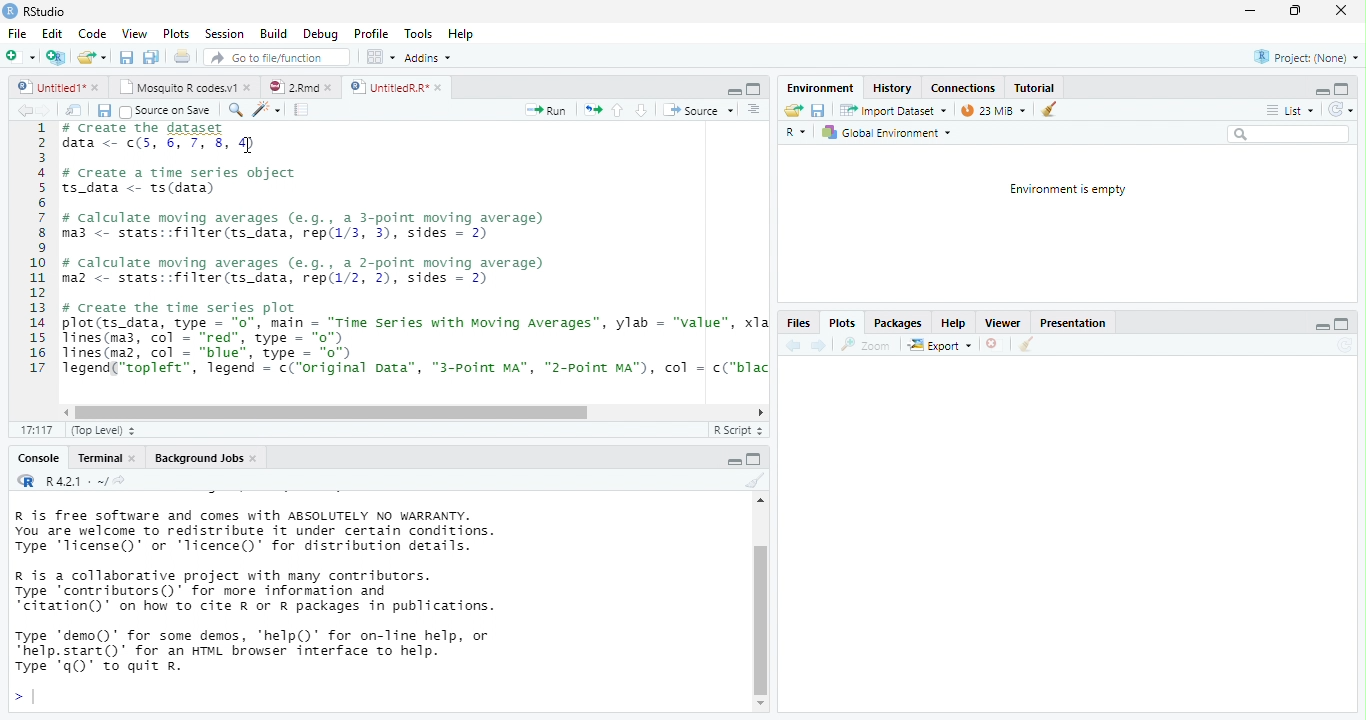 Image resolution: width=1366 pixels, height=720 pixels. What do you see at coordinates (371, 34) in the screenshot?
I see `Profile` at bounding box center [371, 34].